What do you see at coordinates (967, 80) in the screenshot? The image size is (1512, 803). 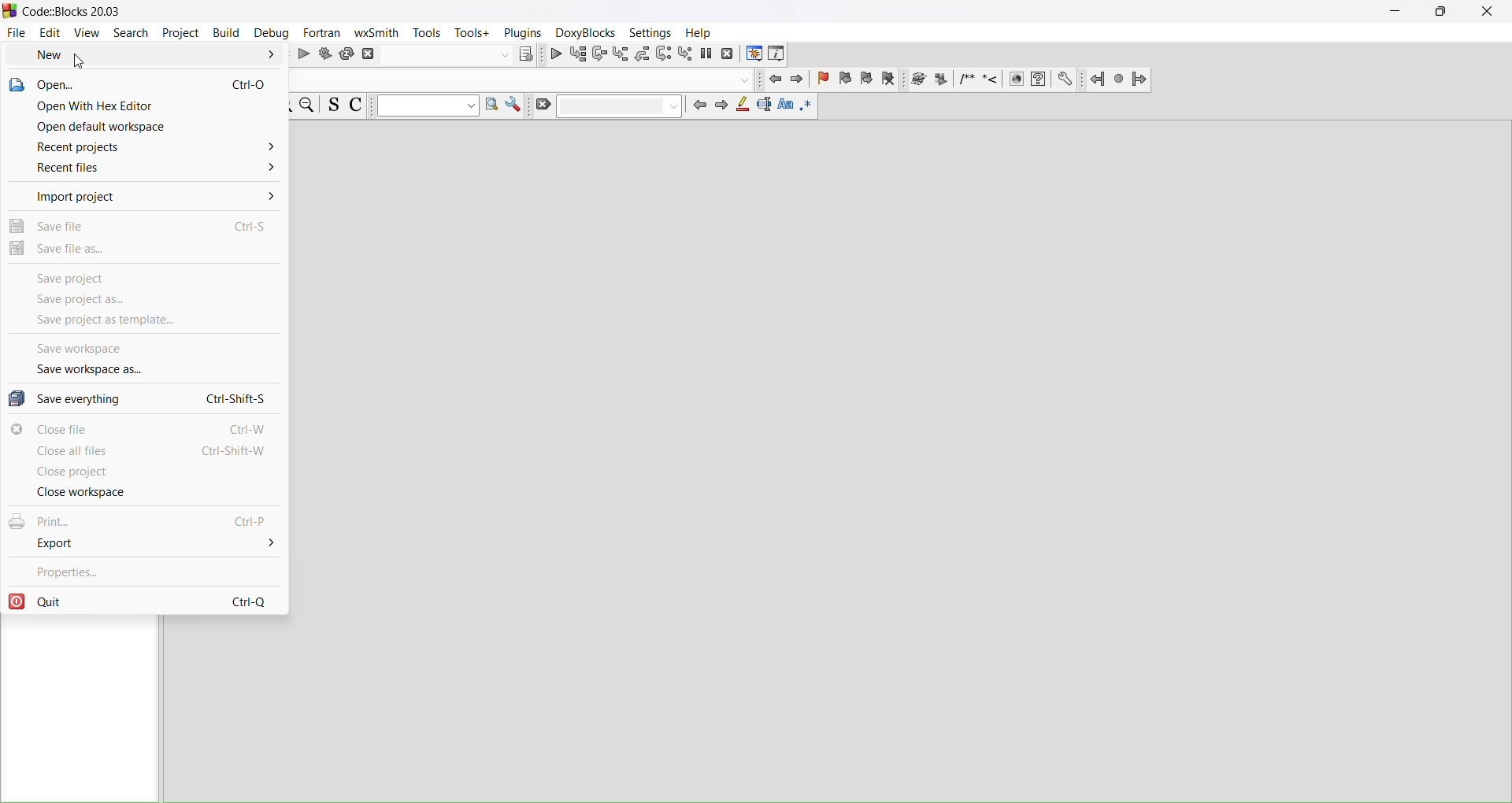 I see `Insert comment block` at bounding box center [967, 80].